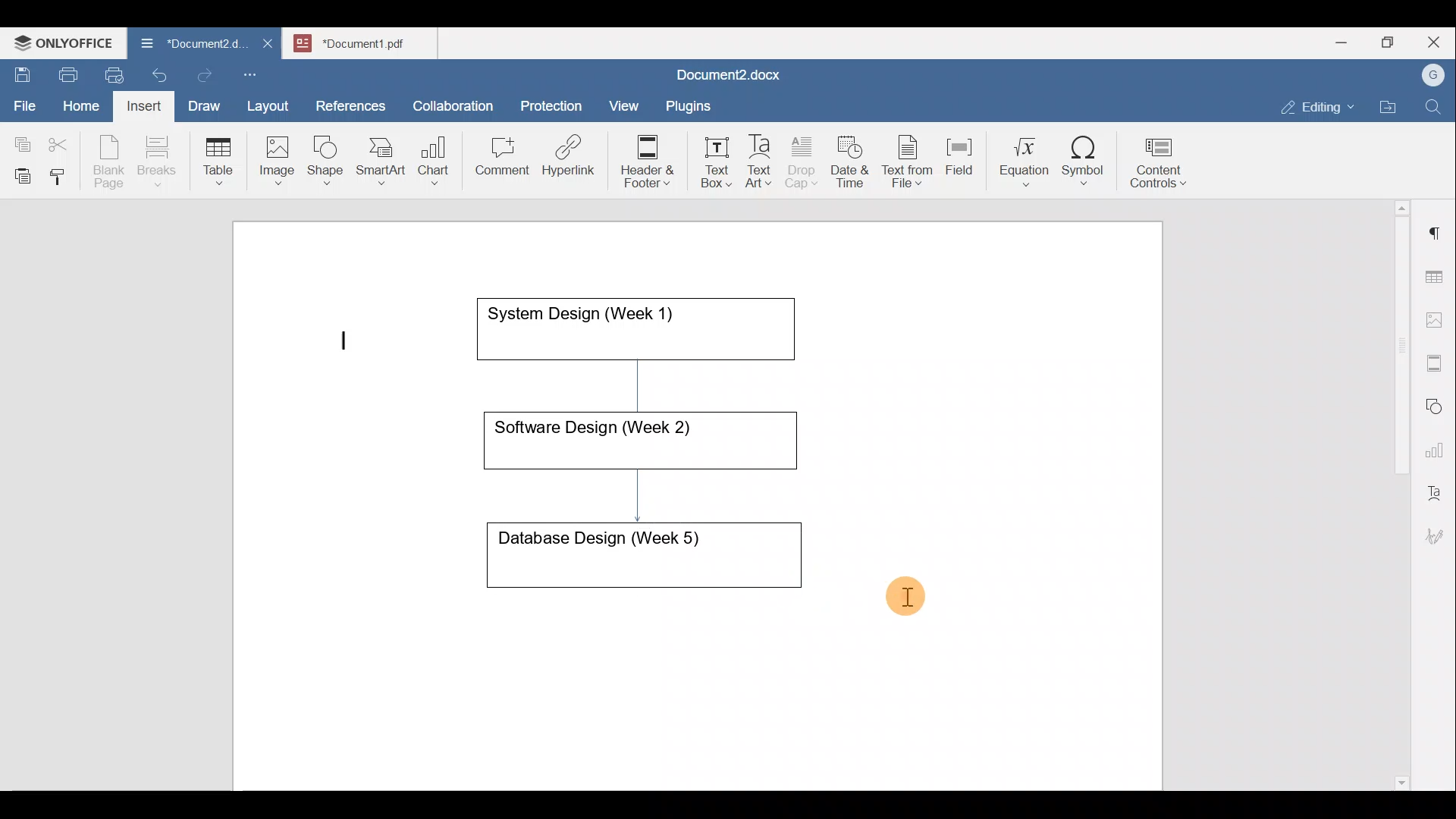 This screenshot has height=819, width=1456. Describe the element at coordinates (19, 172) in the screenshot. I see `Paste` at that location.